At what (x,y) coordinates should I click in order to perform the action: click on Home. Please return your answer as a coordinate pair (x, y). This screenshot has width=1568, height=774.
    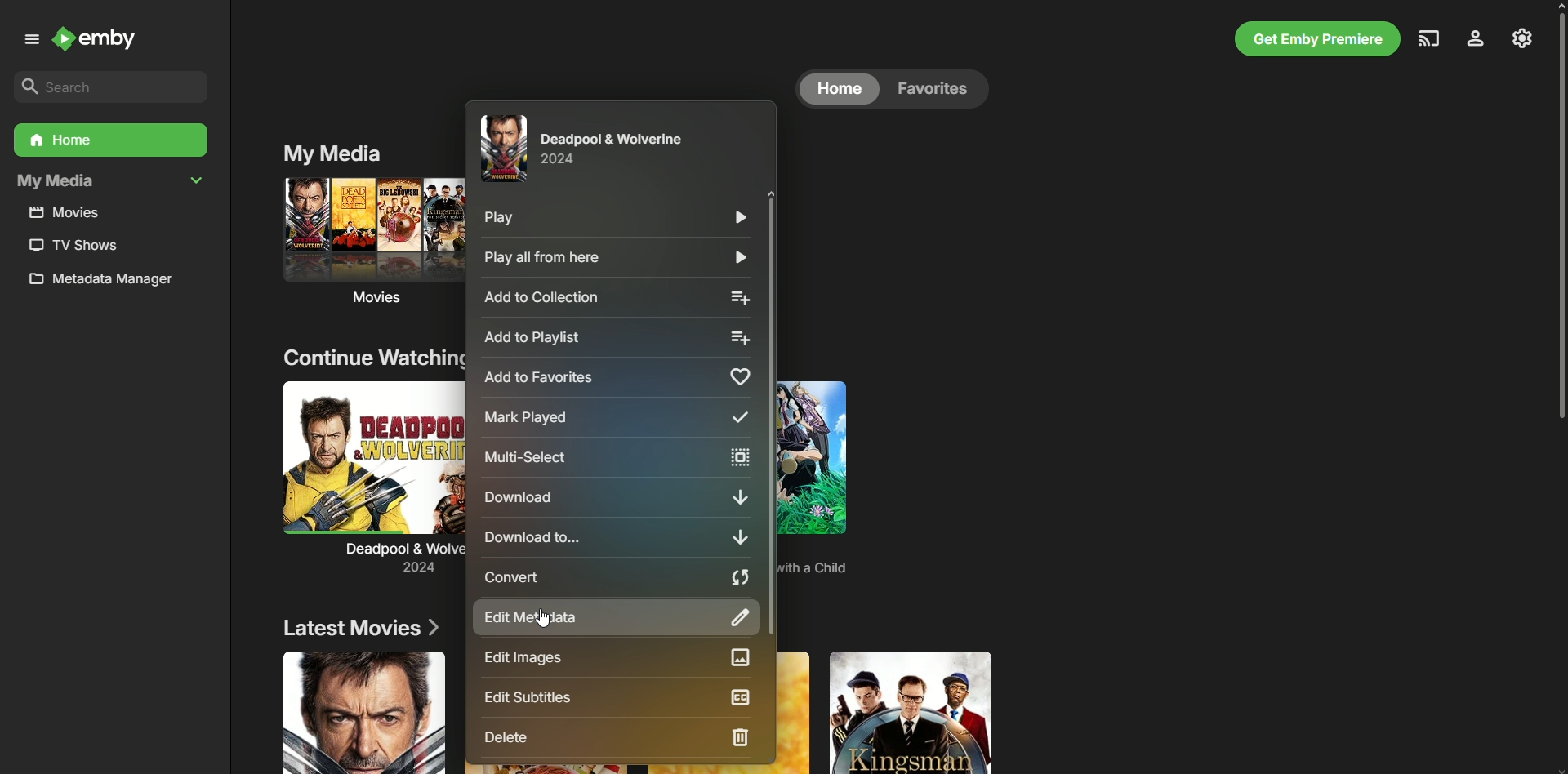
    Looking at the image, I should click on (109, 140).